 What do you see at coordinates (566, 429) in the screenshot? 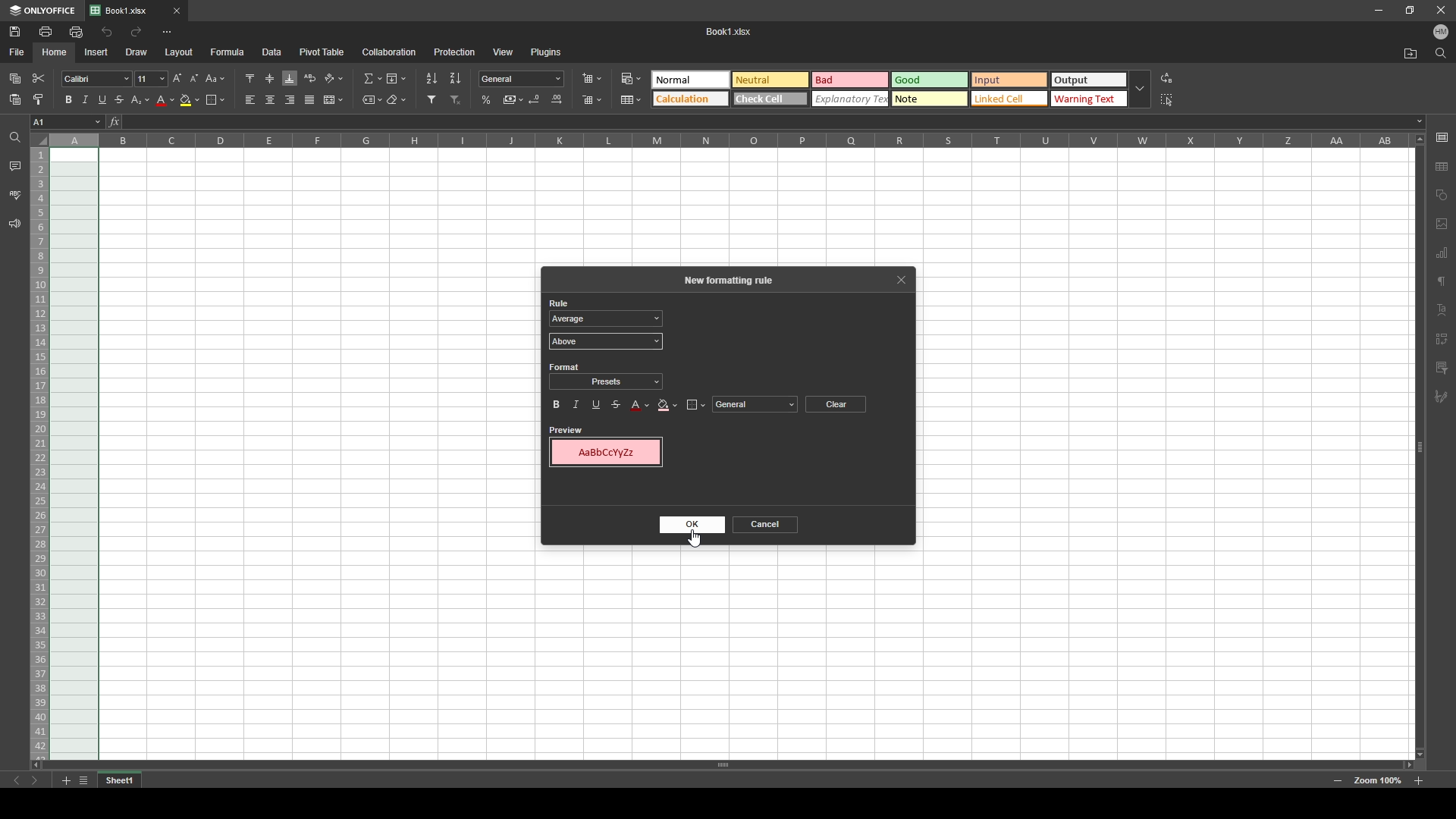
I see `preview` at bounding box center [566, 429].